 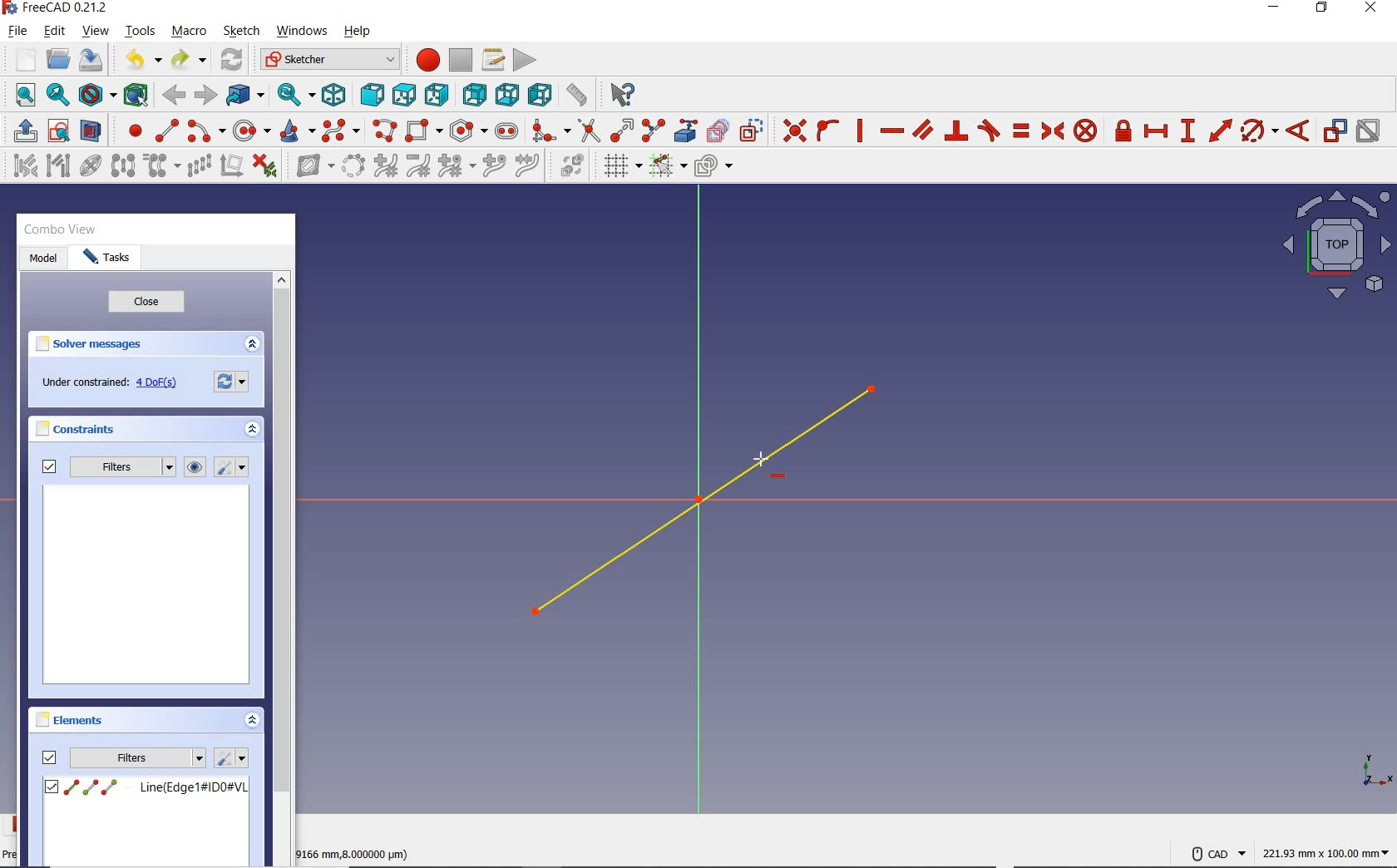 What do you see at coordinates (195, 467) in the screenshot?
I see `SHOW/HIDE LISTED CONSTRAINTS` at bounding box center [195, 467].